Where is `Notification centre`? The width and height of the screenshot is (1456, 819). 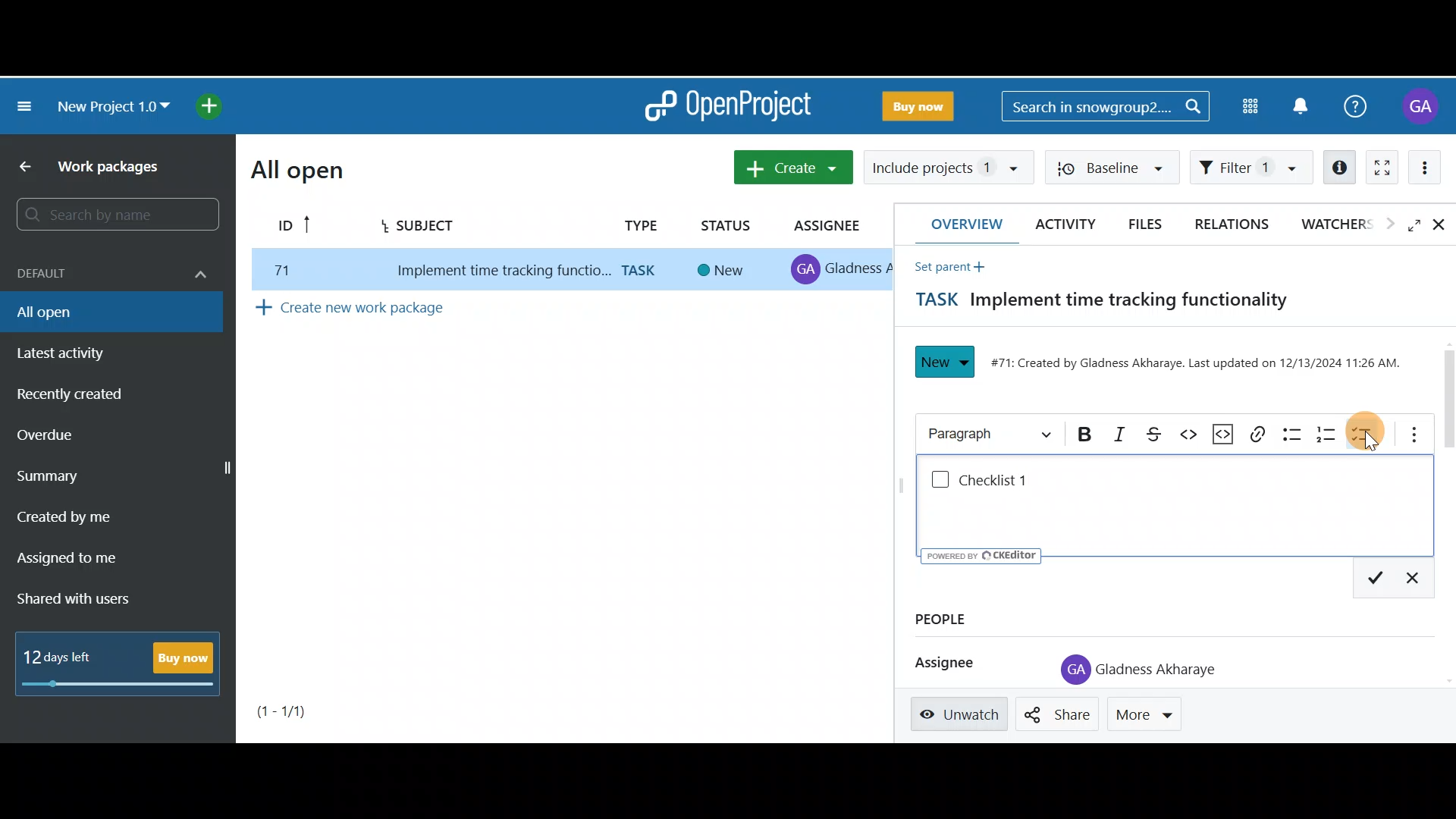 Notification centre is located at coordinates (1310, 105).